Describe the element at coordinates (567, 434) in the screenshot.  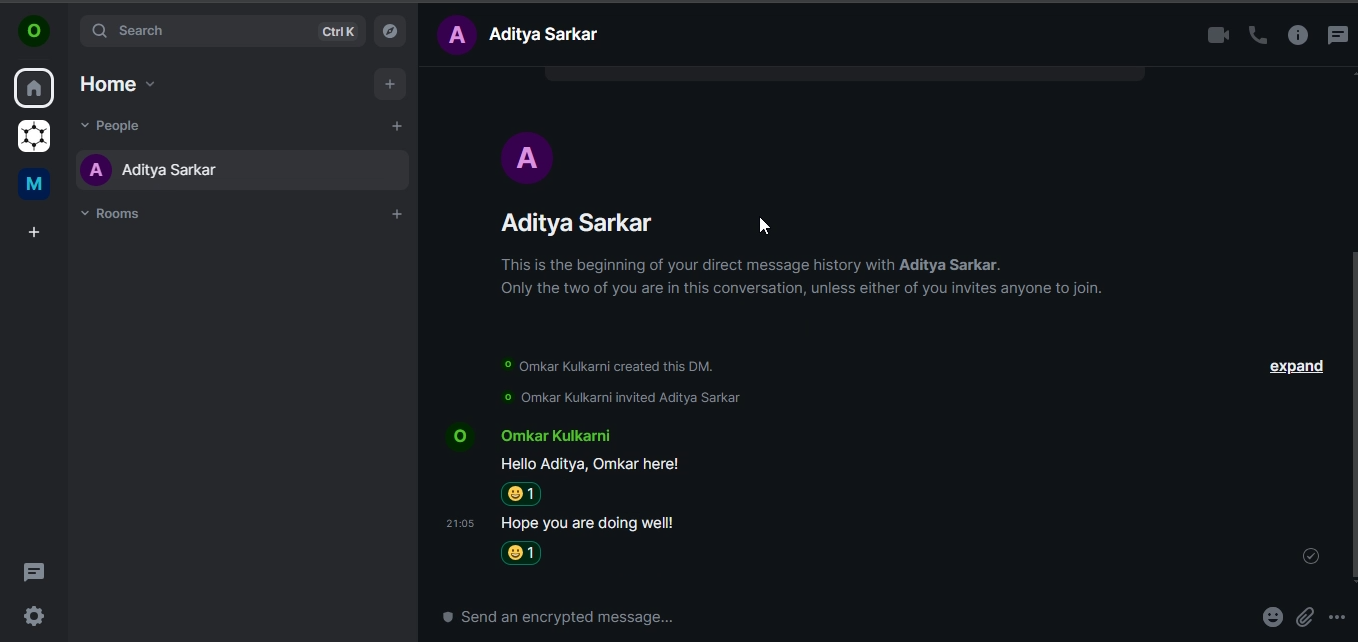
I see `‘Omkar Kulkarni` at that location.